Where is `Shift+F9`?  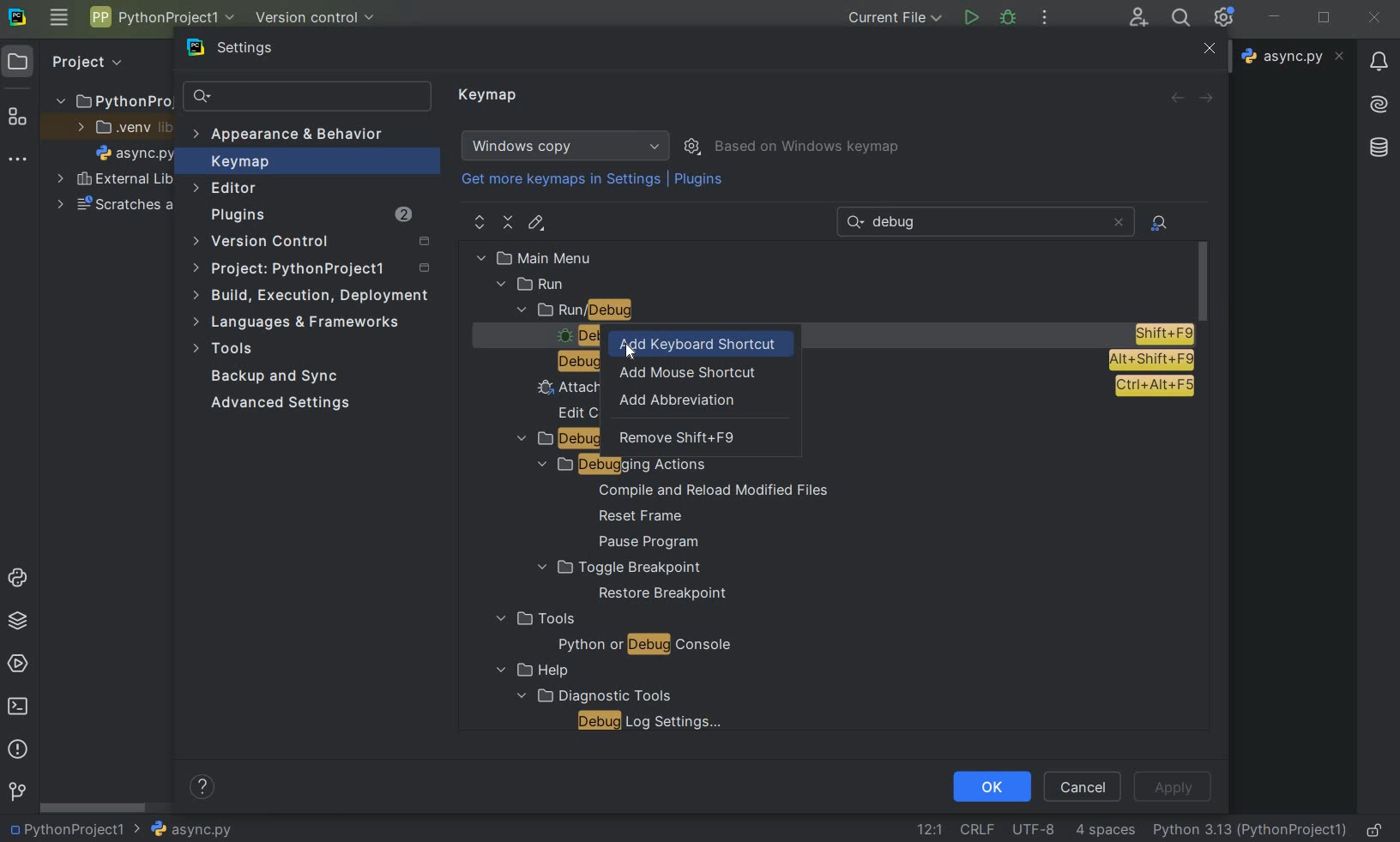
Shift+F9 is located at coordinates (1163, 334).